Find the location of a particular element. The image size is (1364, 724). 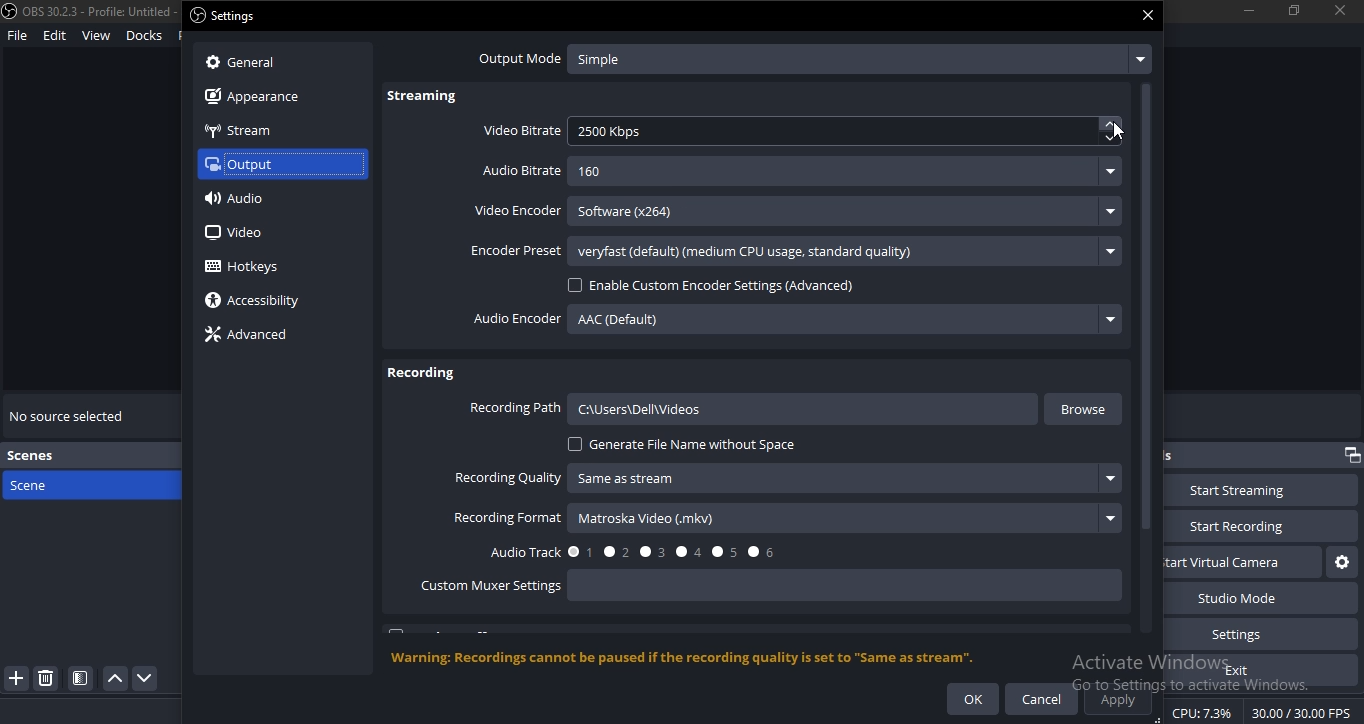

move scene up  is located at coordinates (116, 679).